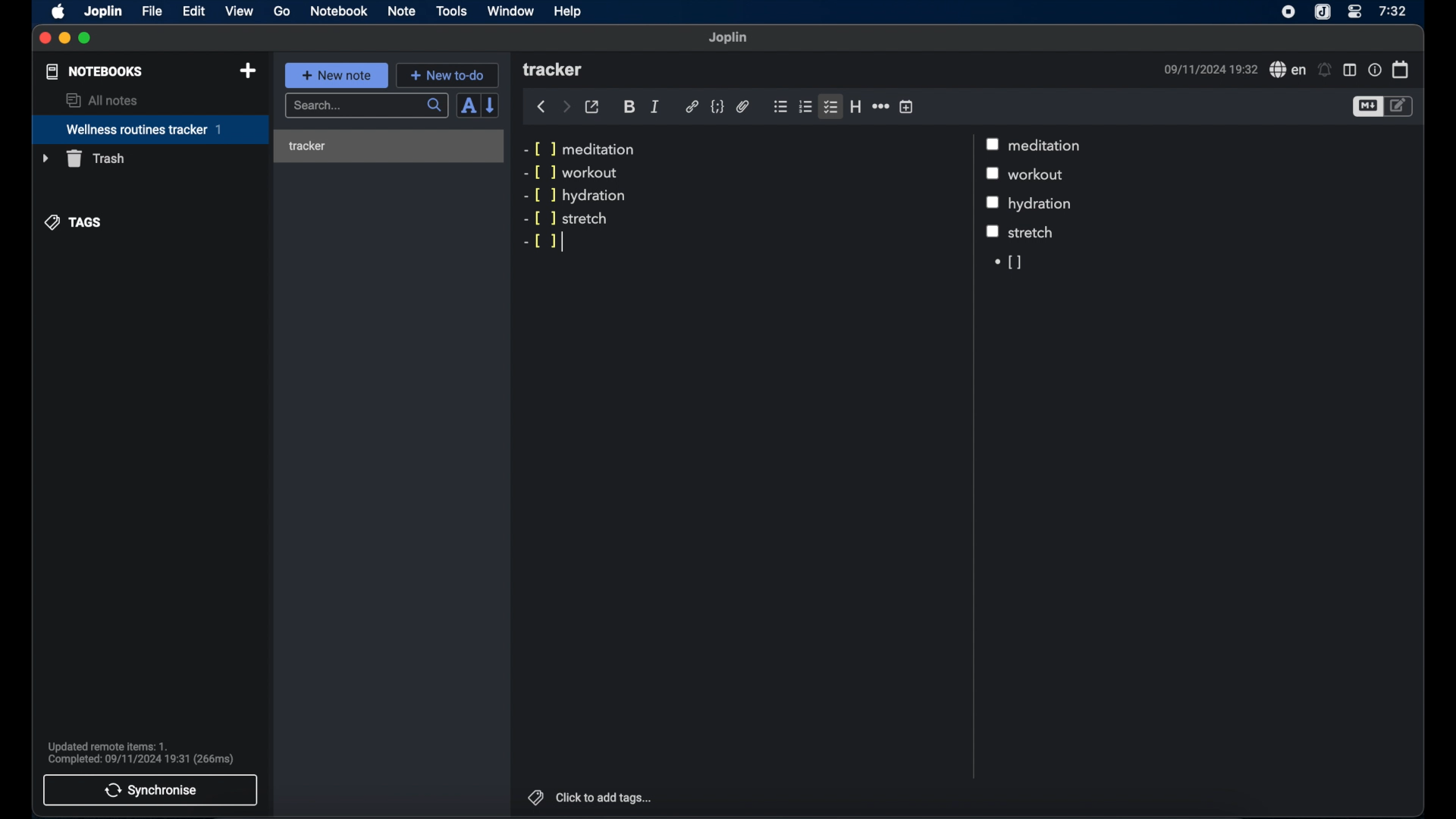 Image resolution: width=1456 pixels, height=819 pixels. Describe the element at coordinates (996, 174) in the screenshot. I see `checkbox` at that location.